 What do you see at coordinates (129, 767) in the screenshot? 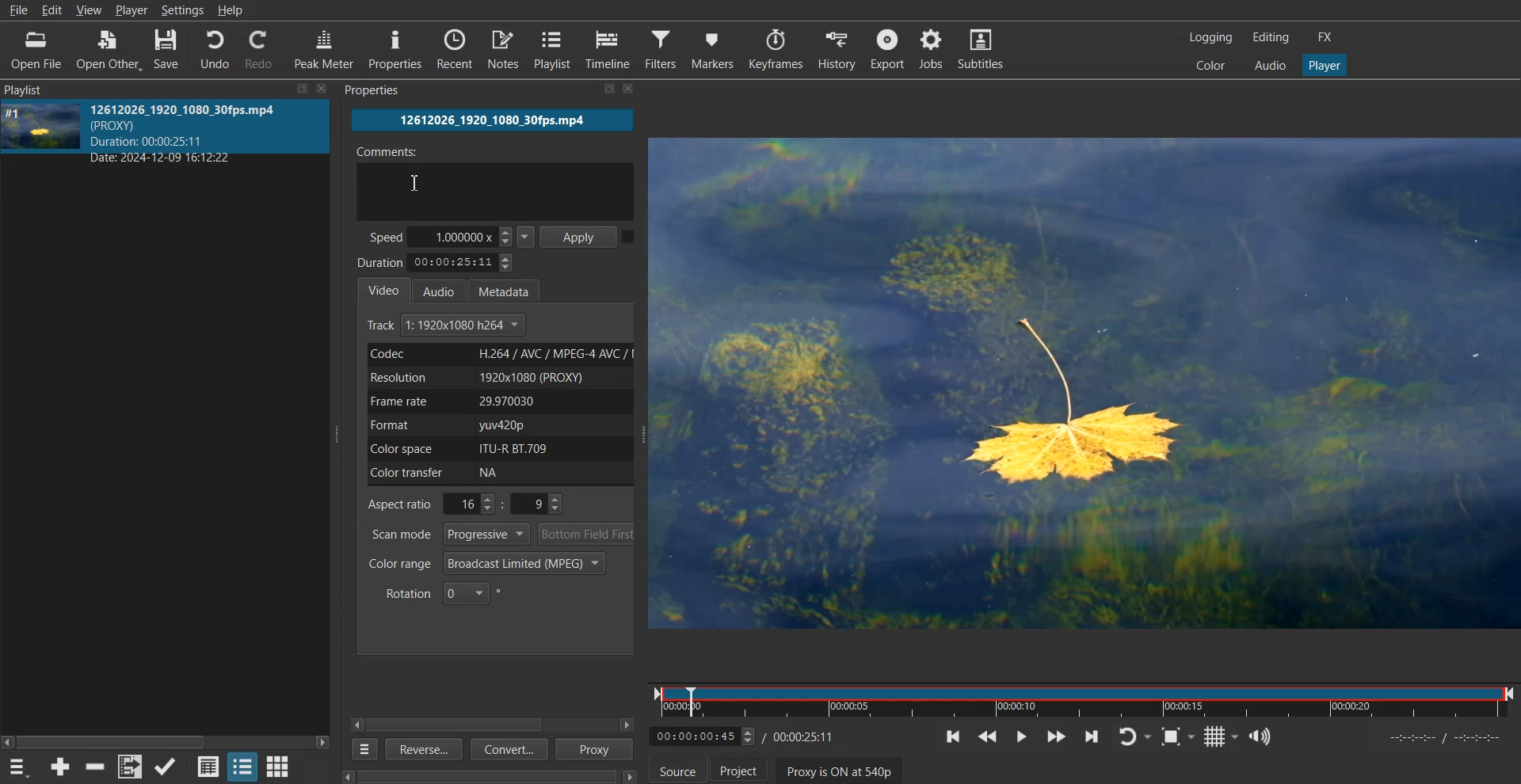
I see `Add file to playlist` at bounding box center [129, 767].